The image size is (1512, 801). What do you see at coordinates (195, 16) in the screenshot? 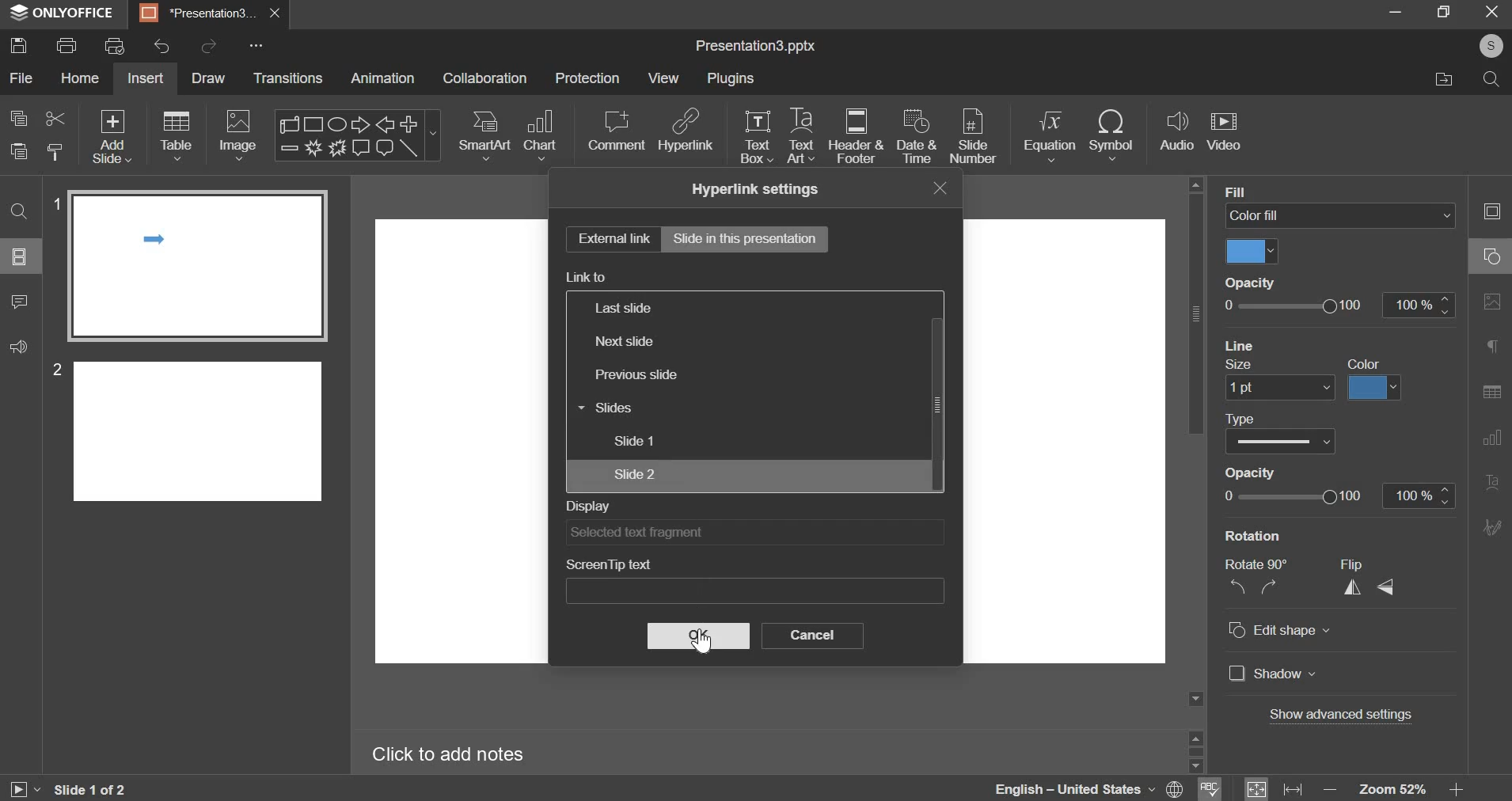
I see `Presentation3` at bounding box center [195, 16].